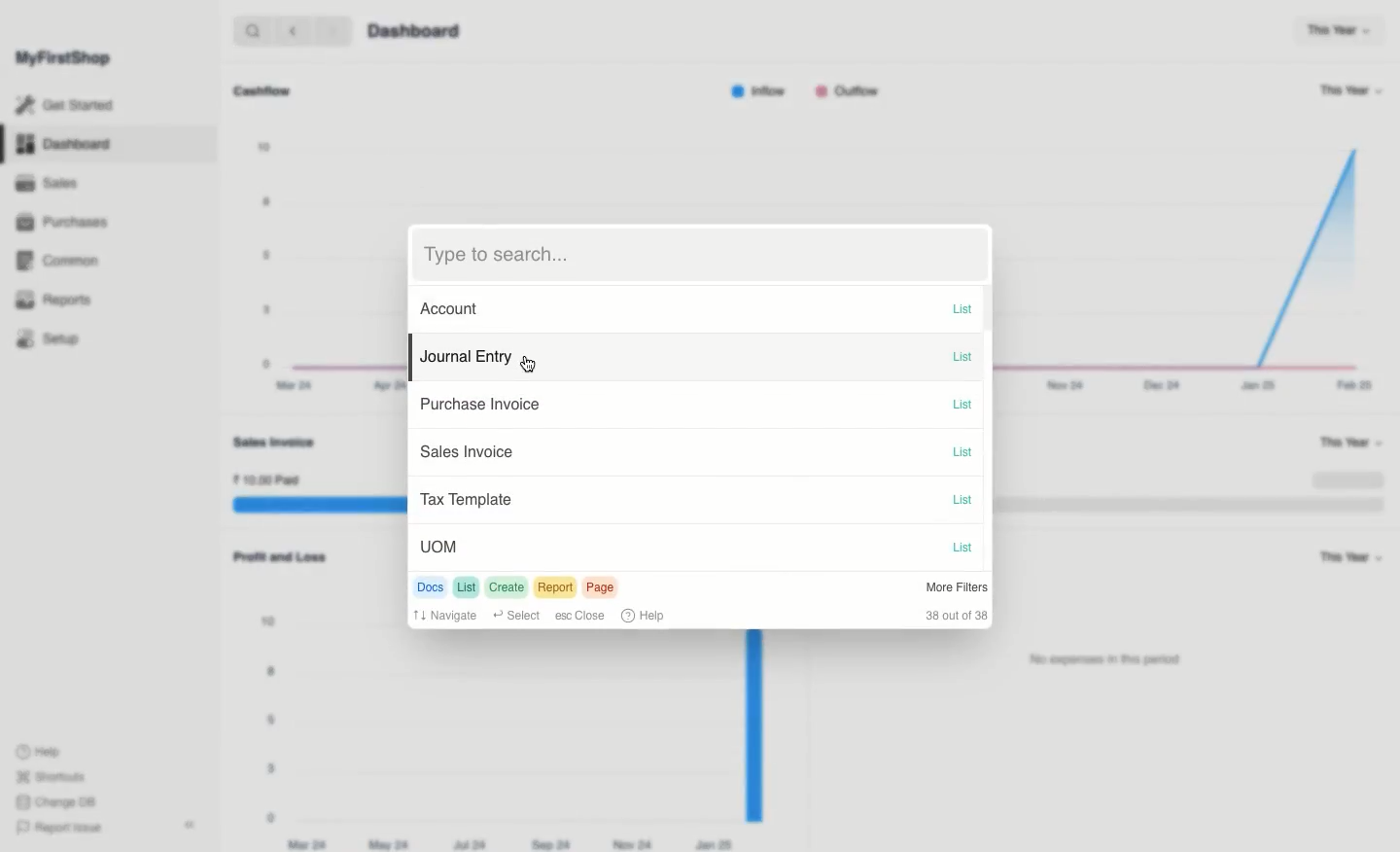 This screenshot has width=1400, height=852. I want to click on List, so click(463, 586).